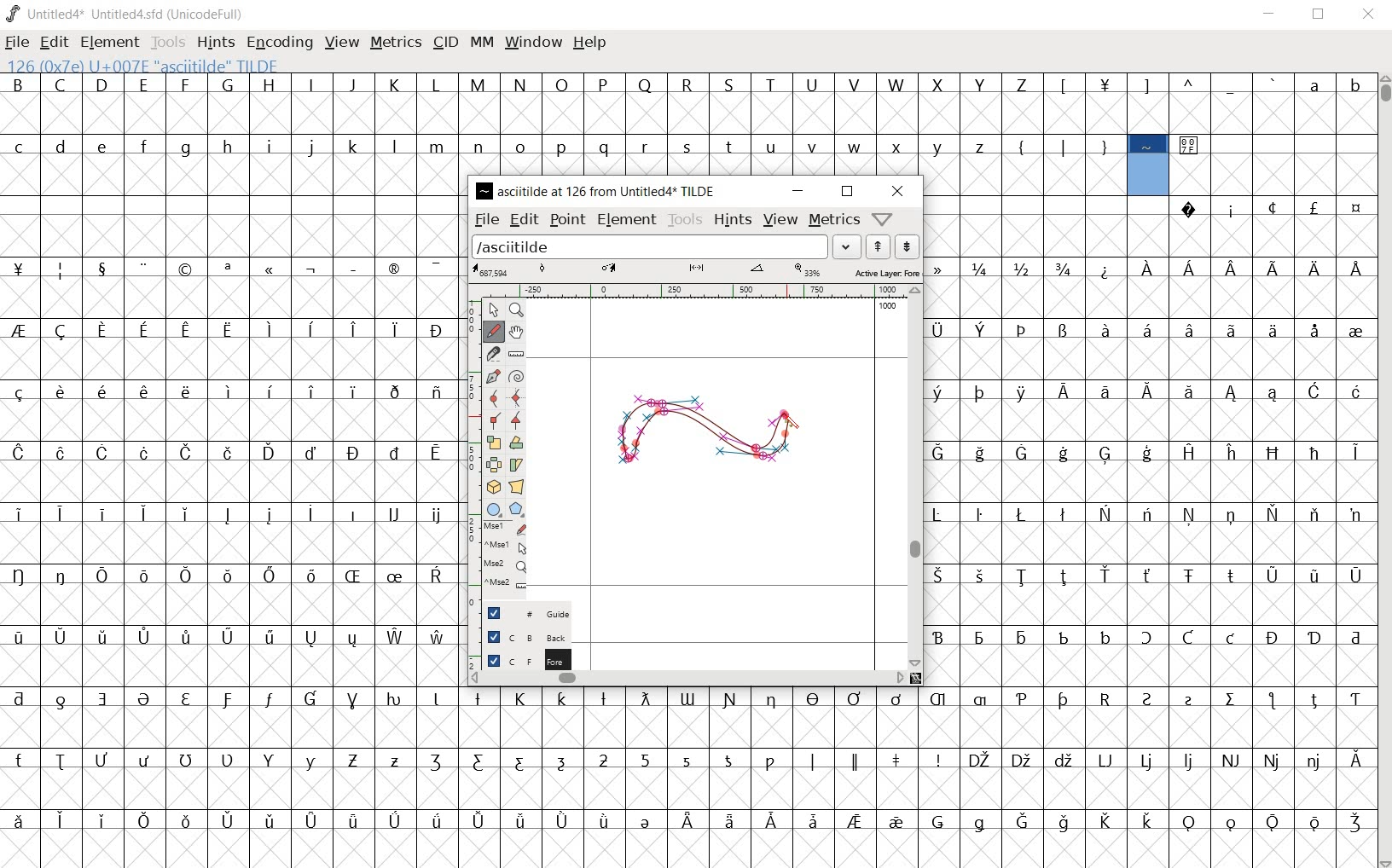 The image size is (1392, 868). I want to click on glyph characters, so click(918, 777).